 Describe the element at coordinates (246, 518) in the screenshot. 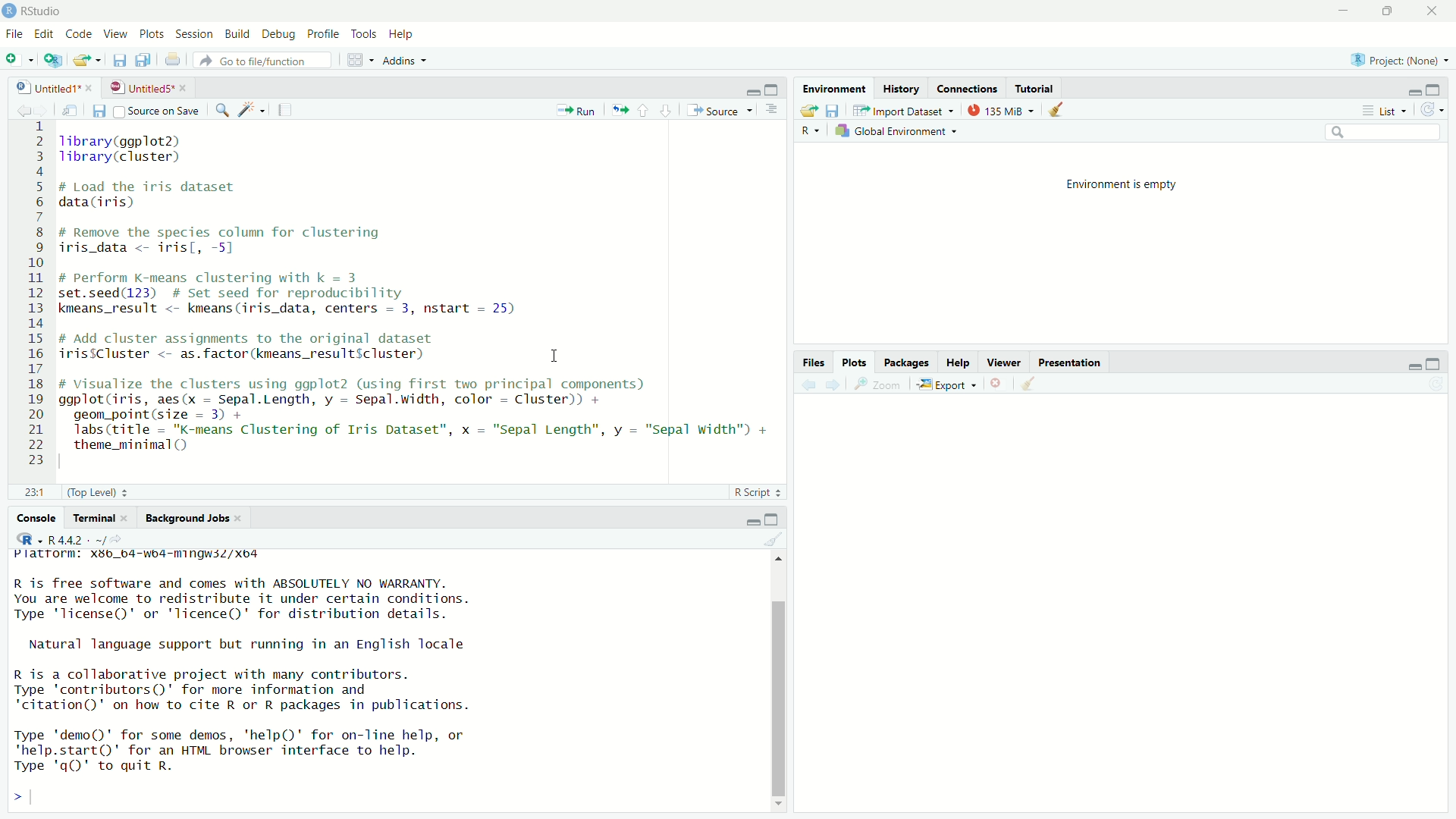

I see `close` at that location.